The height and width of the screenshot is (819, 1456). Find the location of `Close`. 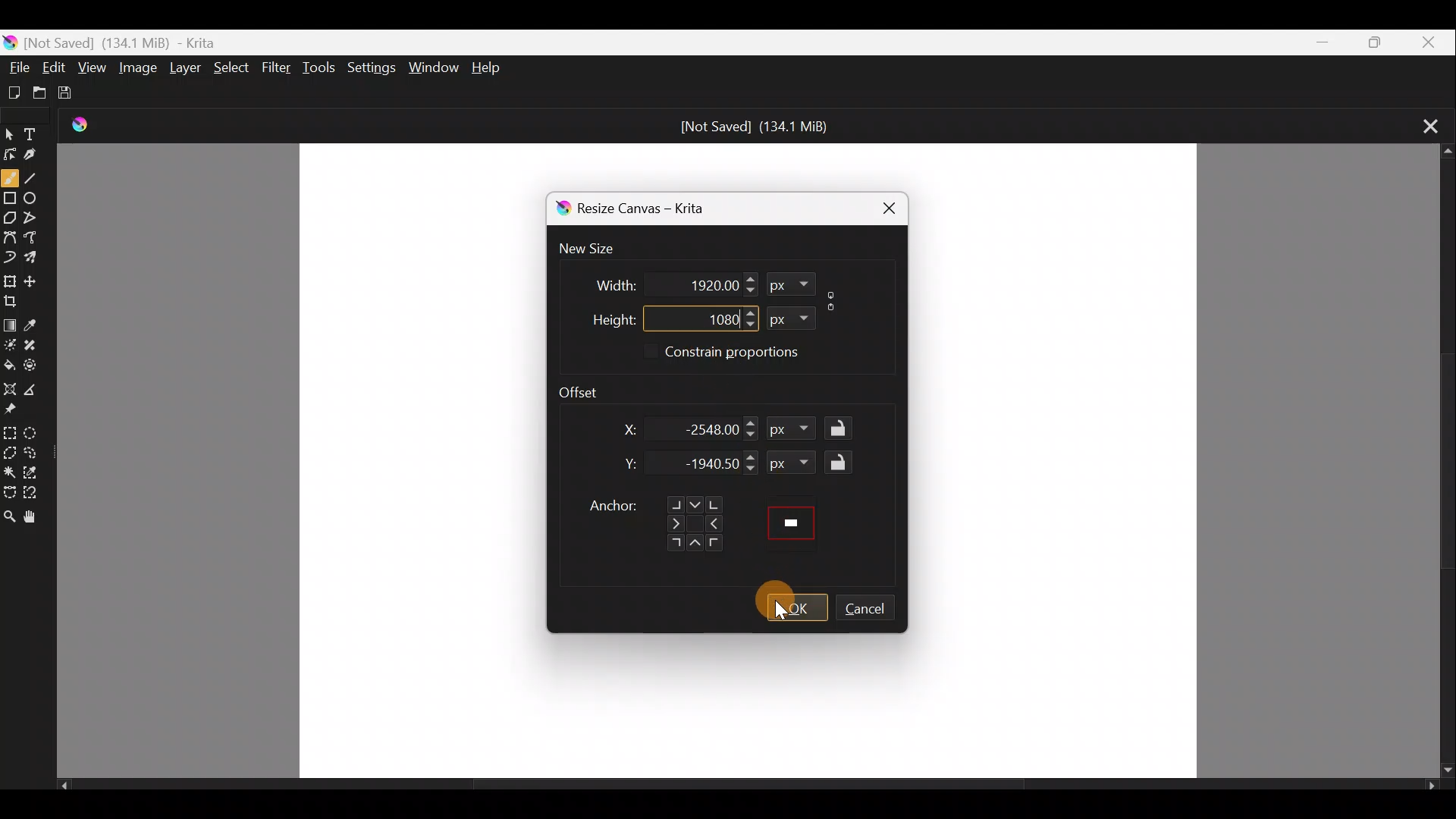

Close is located at coordinates (1428, 42).